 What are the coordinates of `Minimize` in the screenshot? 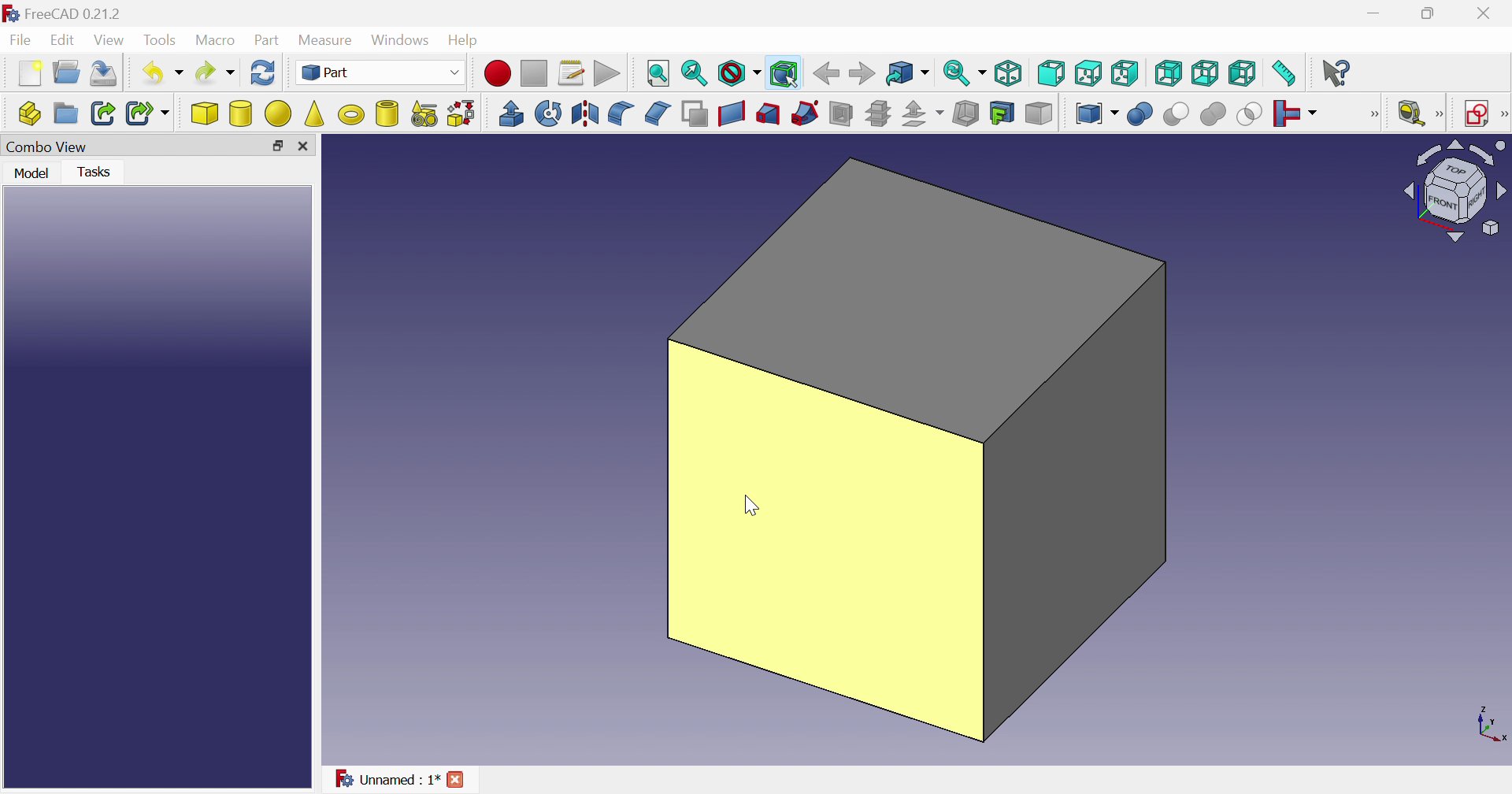 It's located at (1377, 13).